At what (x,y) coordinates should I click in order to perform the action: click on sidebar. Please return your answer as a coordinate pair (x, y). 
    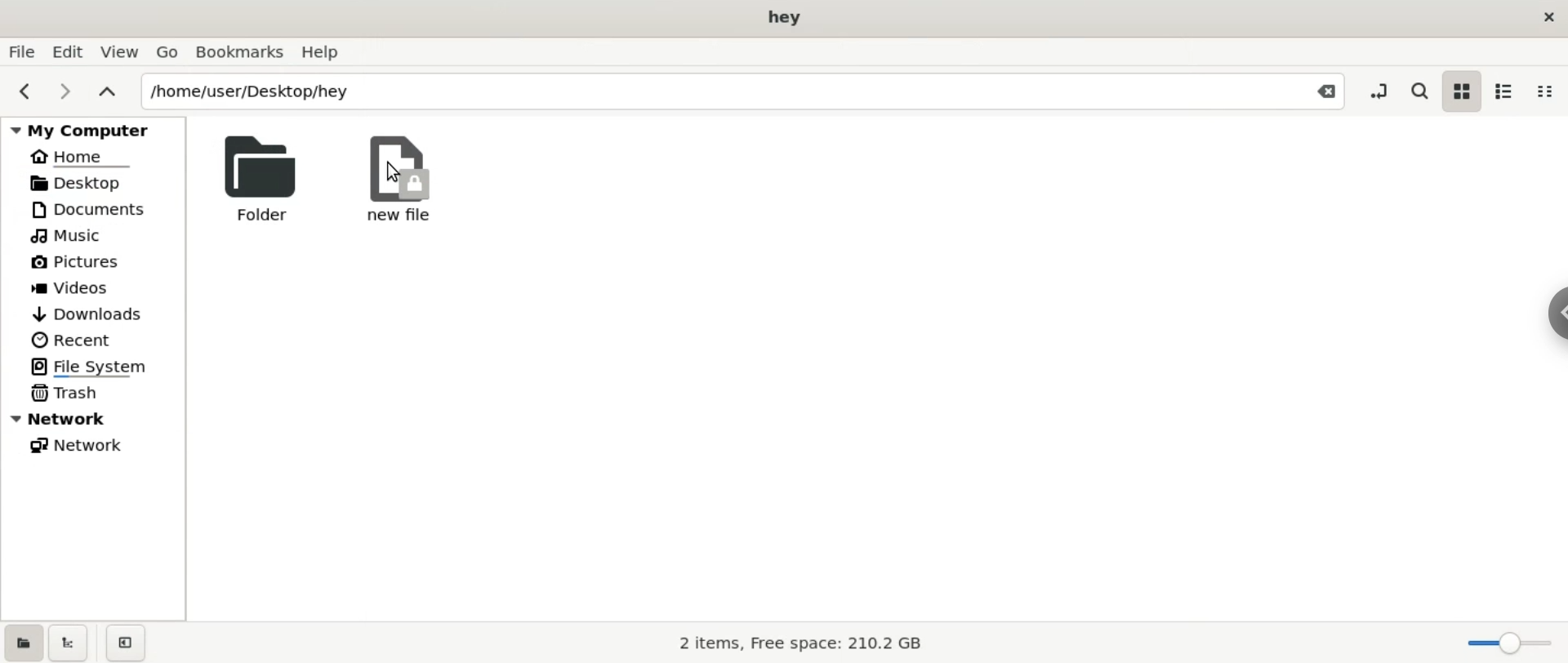
    Looking at the image, I should click on (1553, 309).